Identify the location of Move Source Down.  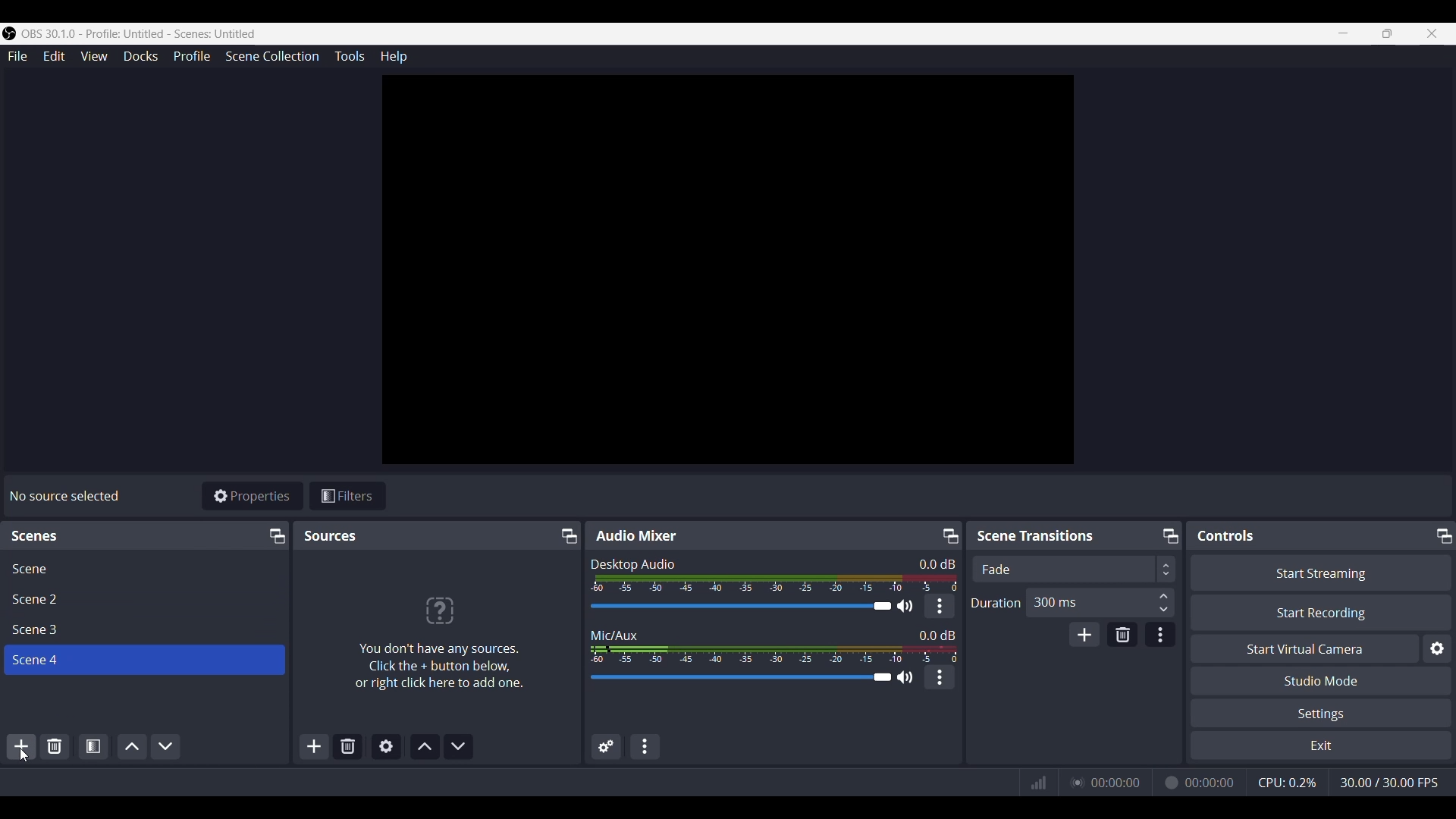
(459, 747).